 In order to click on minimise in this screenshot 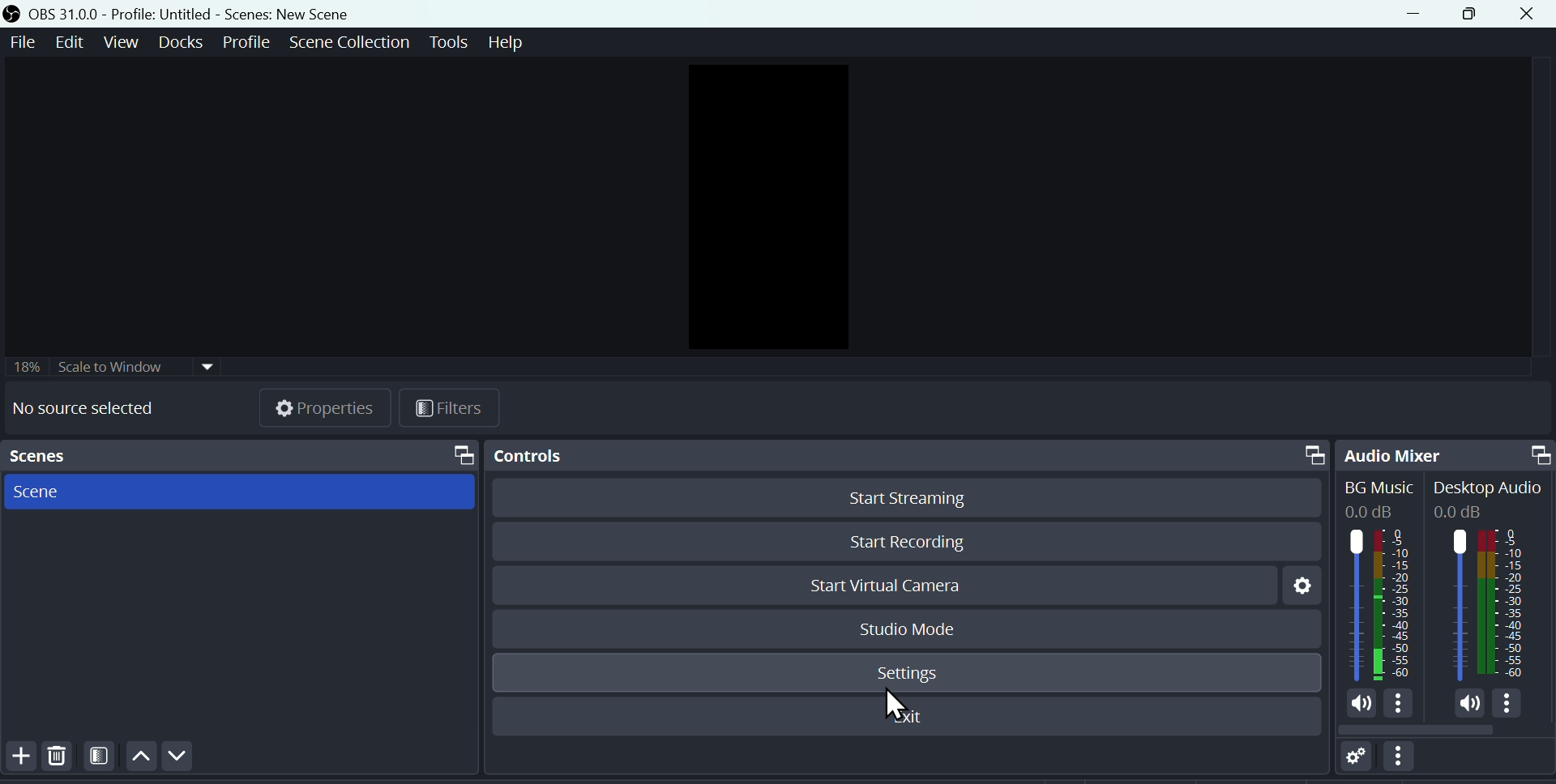, I will do `click(1422, 15)`.